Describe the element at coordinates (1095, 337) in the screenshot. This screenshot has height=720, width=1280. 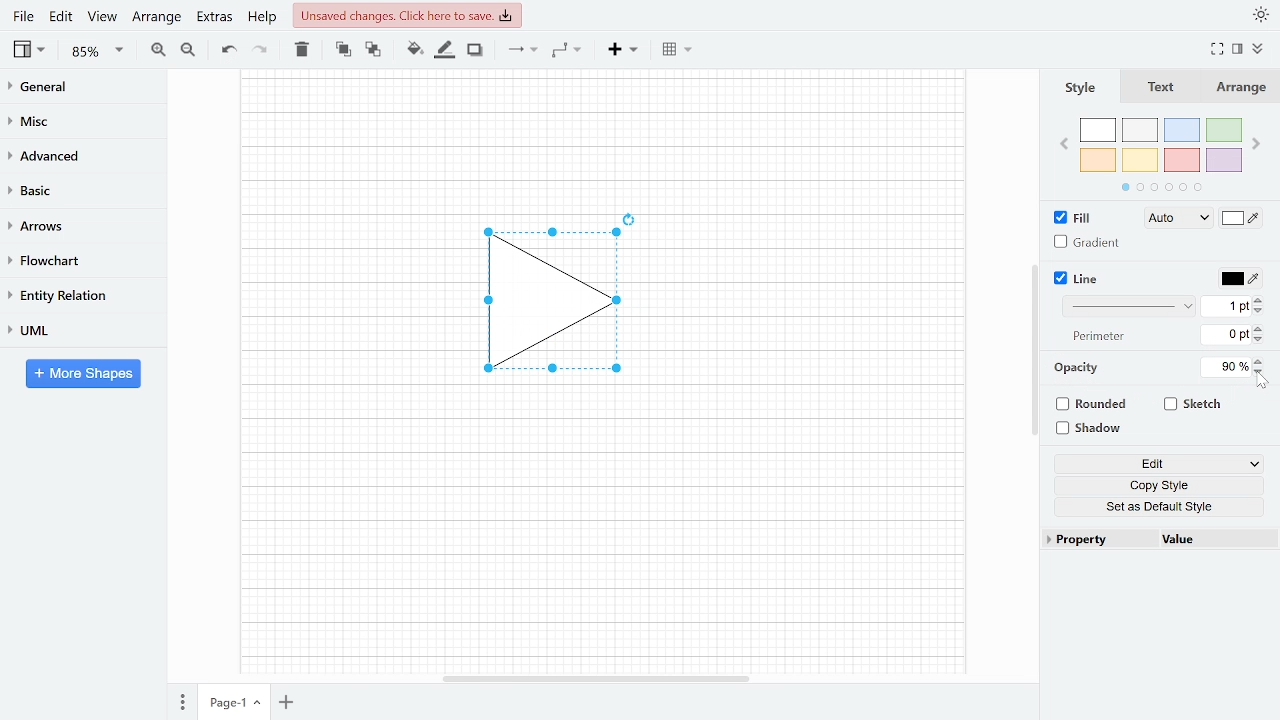
I see `Perimeter` at that location.